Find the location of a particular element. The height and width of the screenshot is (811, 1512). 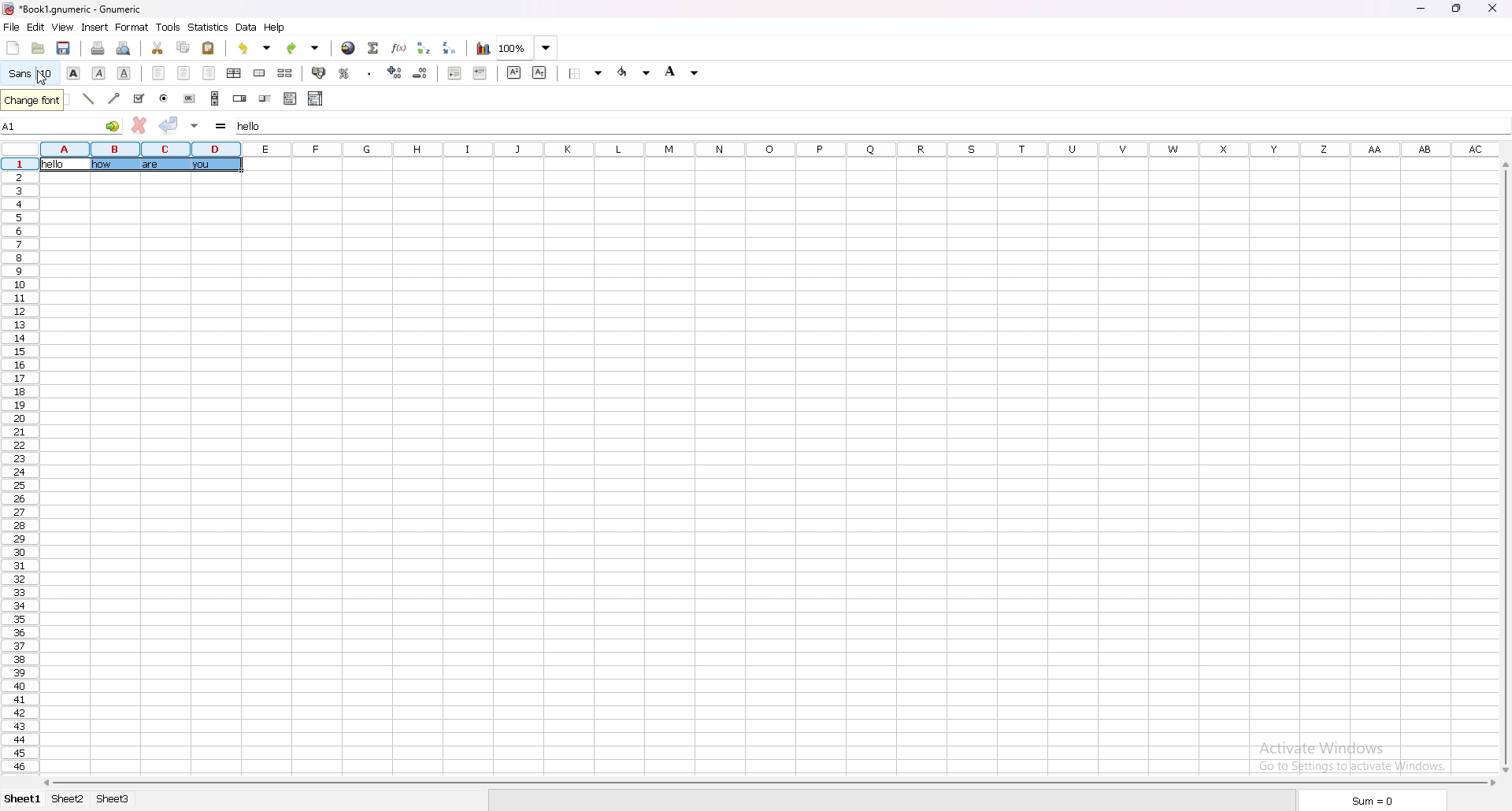

split merged cells is located at coordinates (285, 73).